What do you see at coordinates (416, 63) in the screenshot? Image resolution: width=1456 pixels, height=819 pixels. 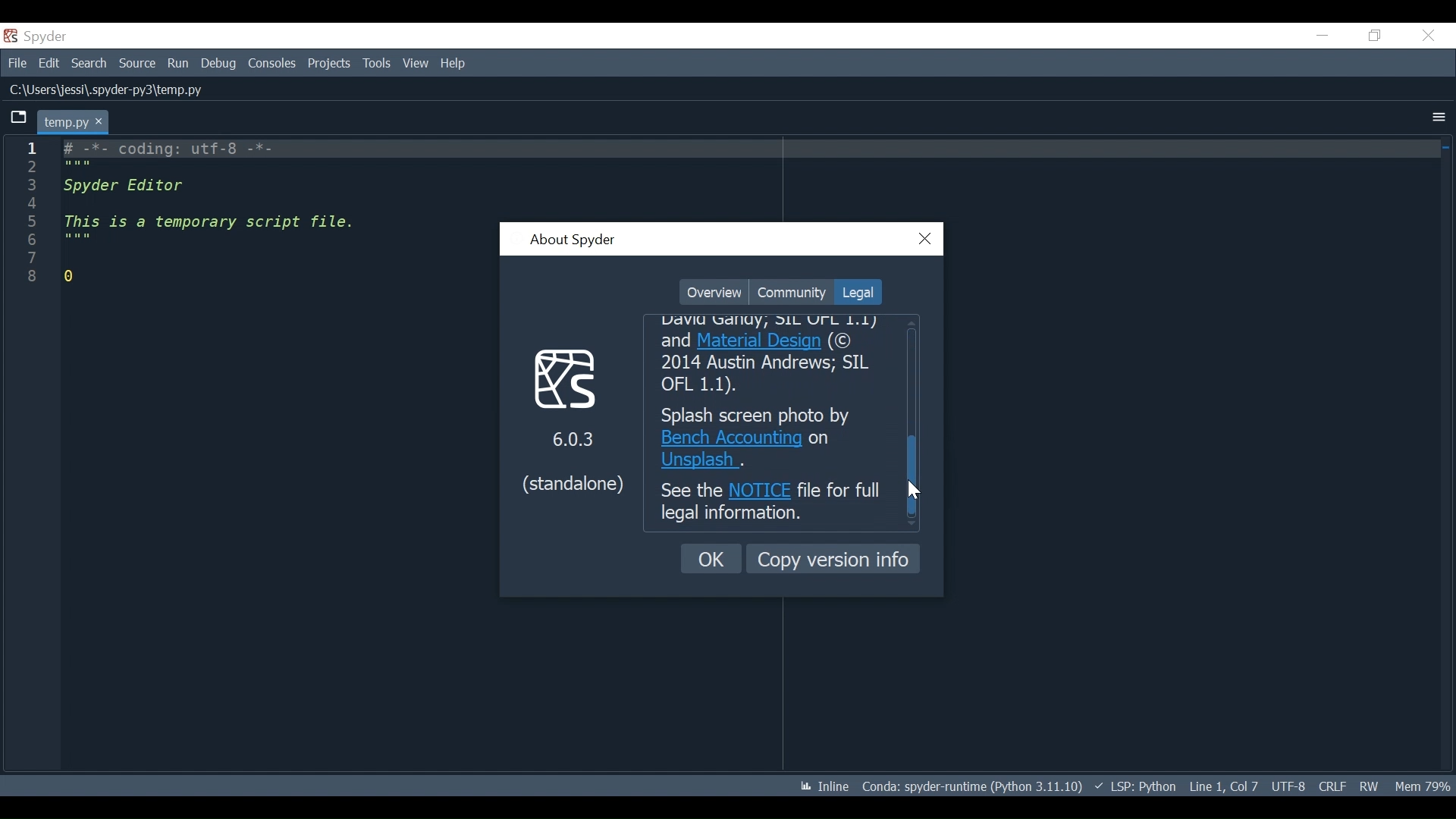 I see `View` at bounding box center [416, 63].